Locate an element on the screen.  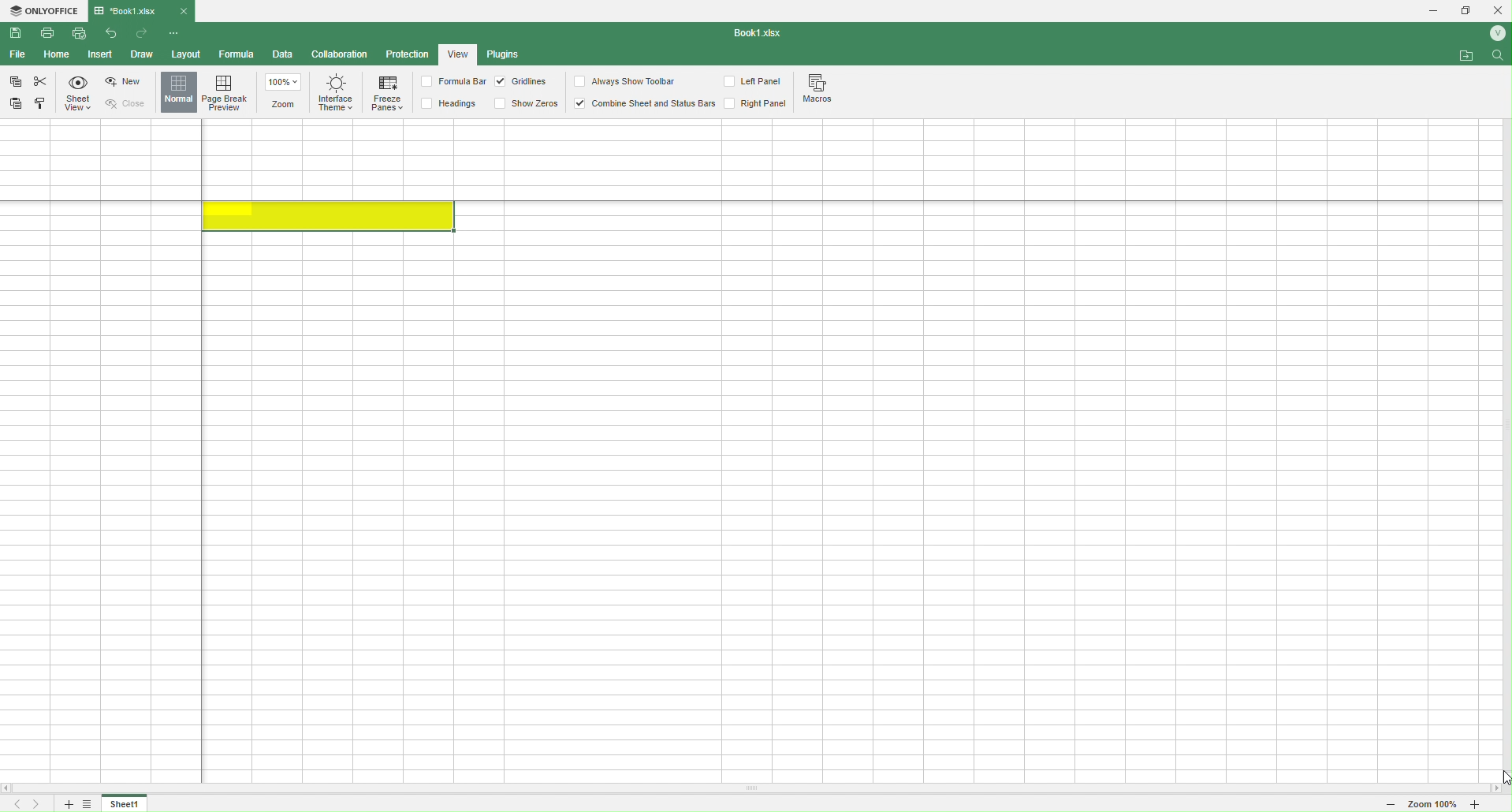
Cursor is located at coordinates (1499, 772).